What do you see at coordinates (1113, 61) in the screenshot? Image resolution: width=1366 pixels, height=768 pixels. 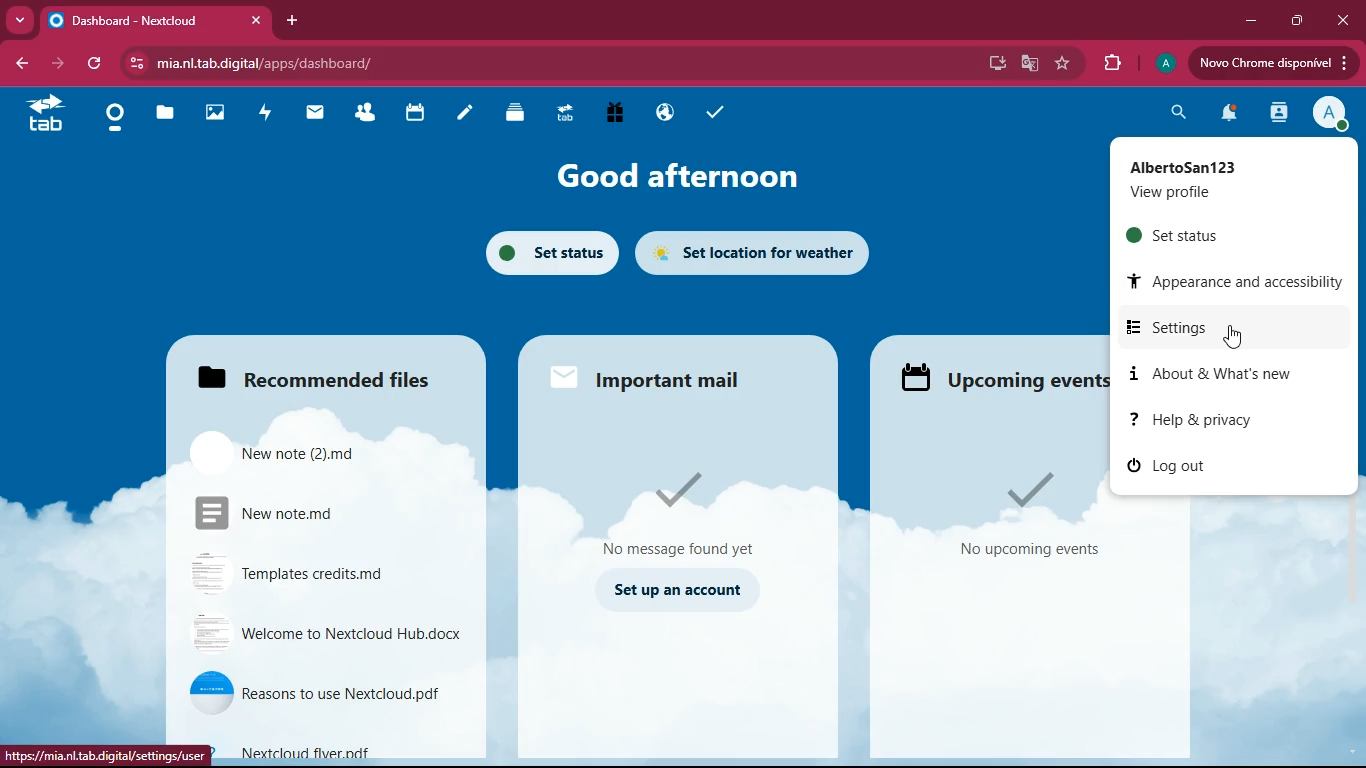 I see `extensions` at bounding box center [1113, 61].